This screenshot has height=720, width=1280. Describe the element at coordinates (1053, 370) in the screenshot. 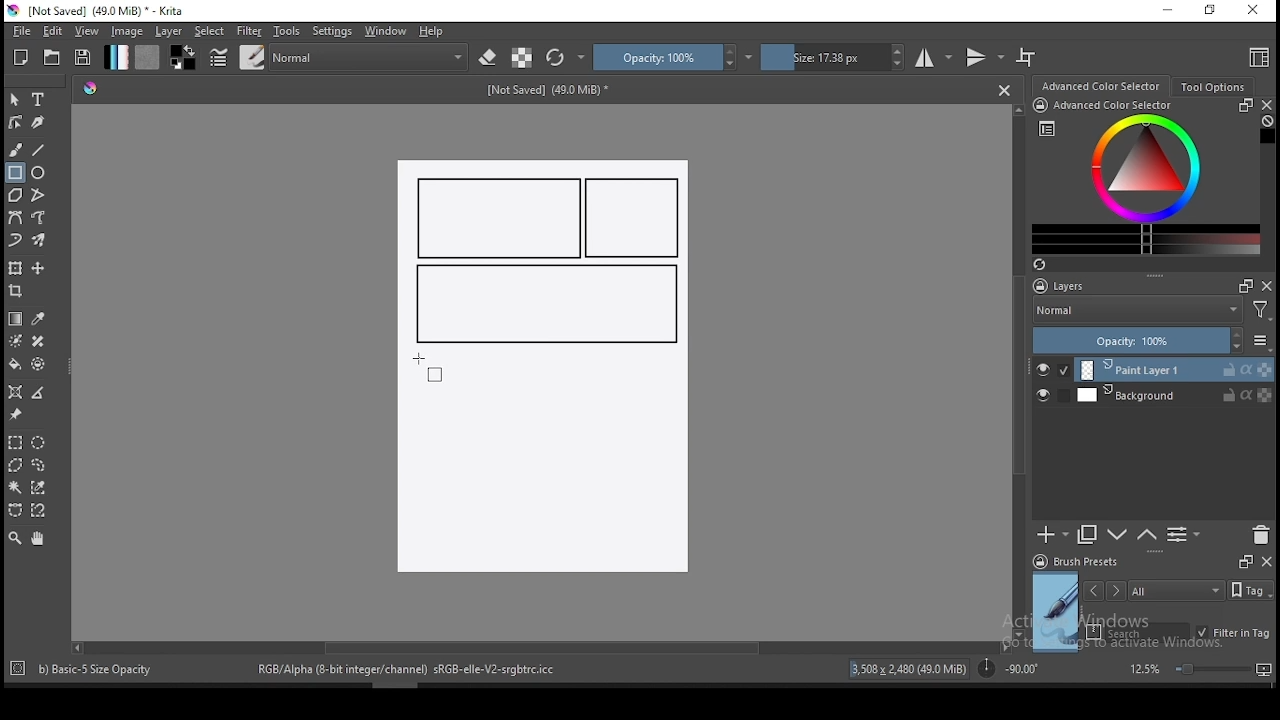

I see `layer visibility on/off` at that location.